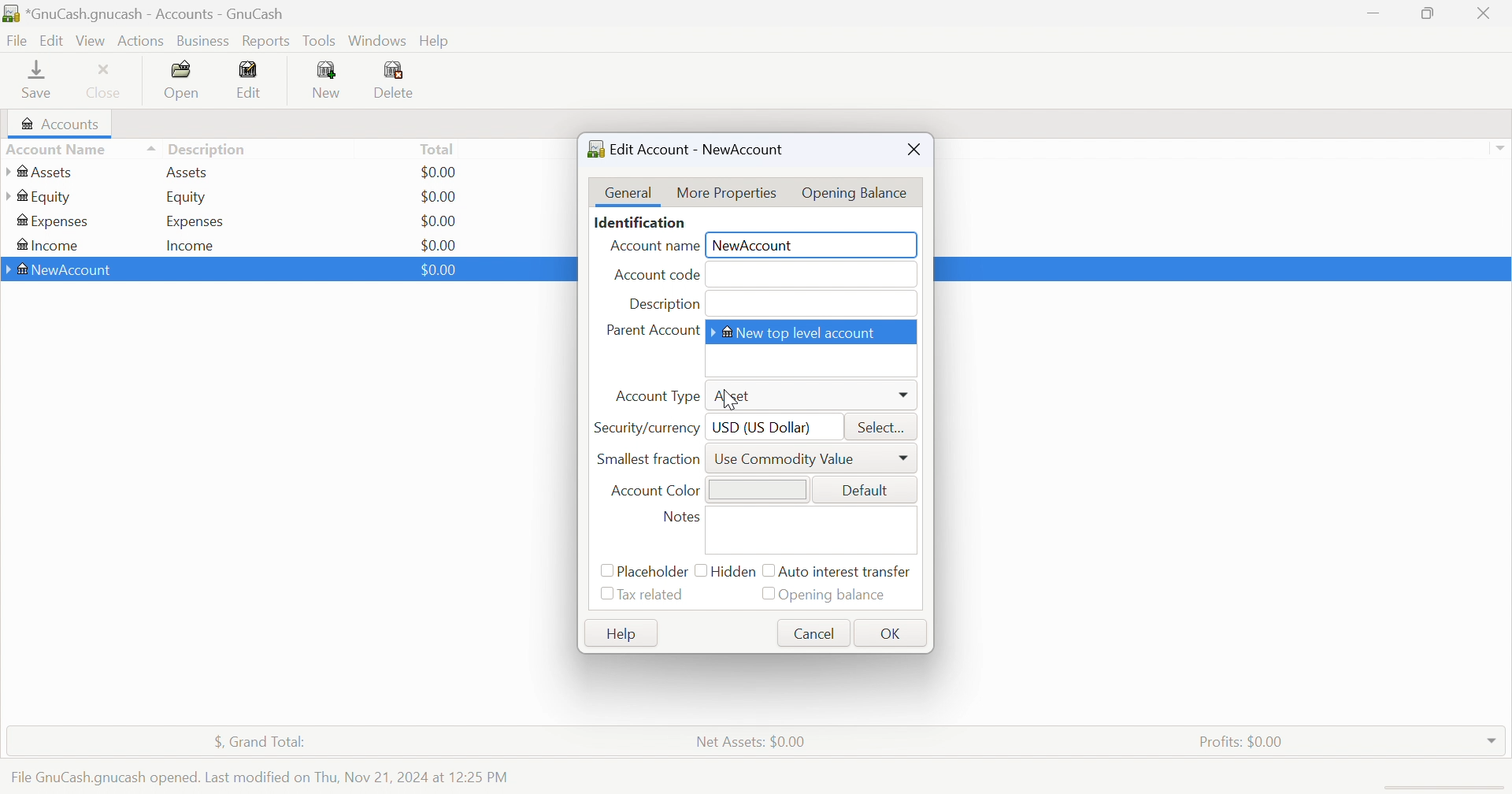 This screenshot has width=1512, height=794. What do you see at coordinates (187, 172) in the screenshot?
I see `Assets` at bounding box center [187, 172].